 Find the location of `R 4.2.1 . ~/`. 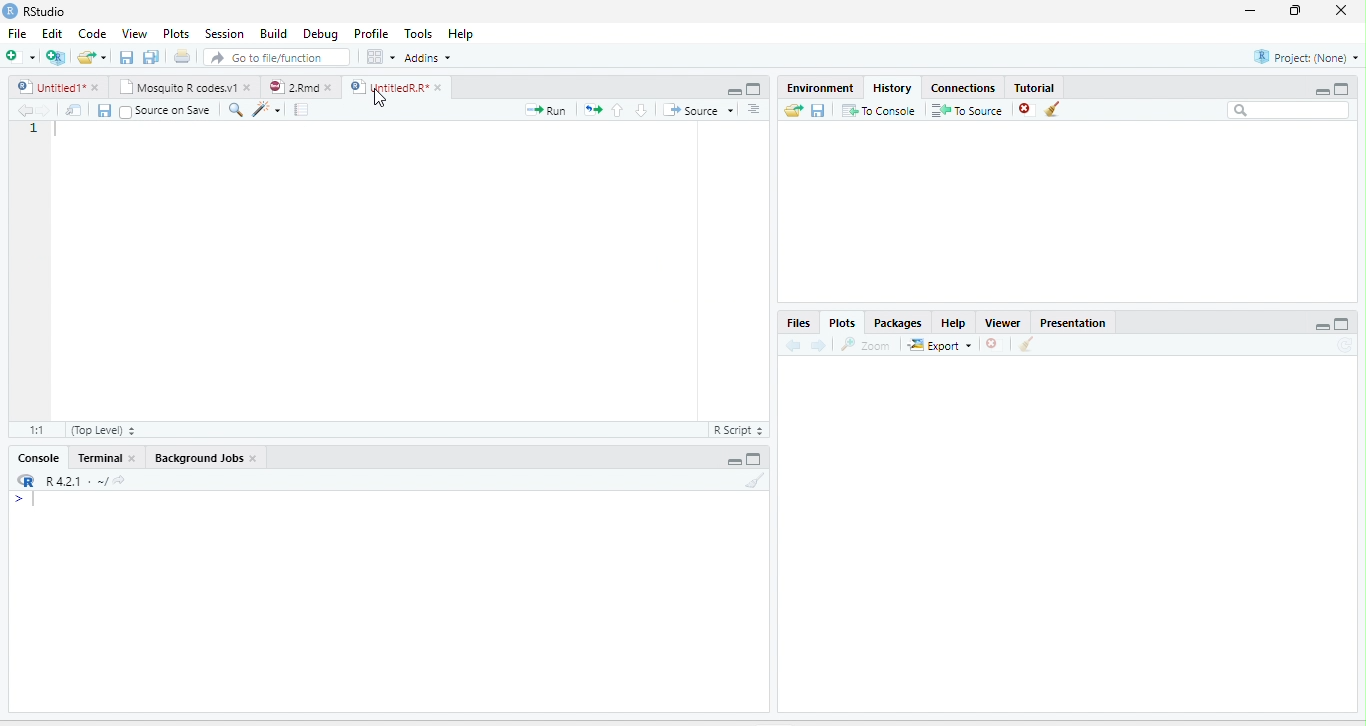

R 4.2.1 . ~/ is located at coordinates (76, 479).